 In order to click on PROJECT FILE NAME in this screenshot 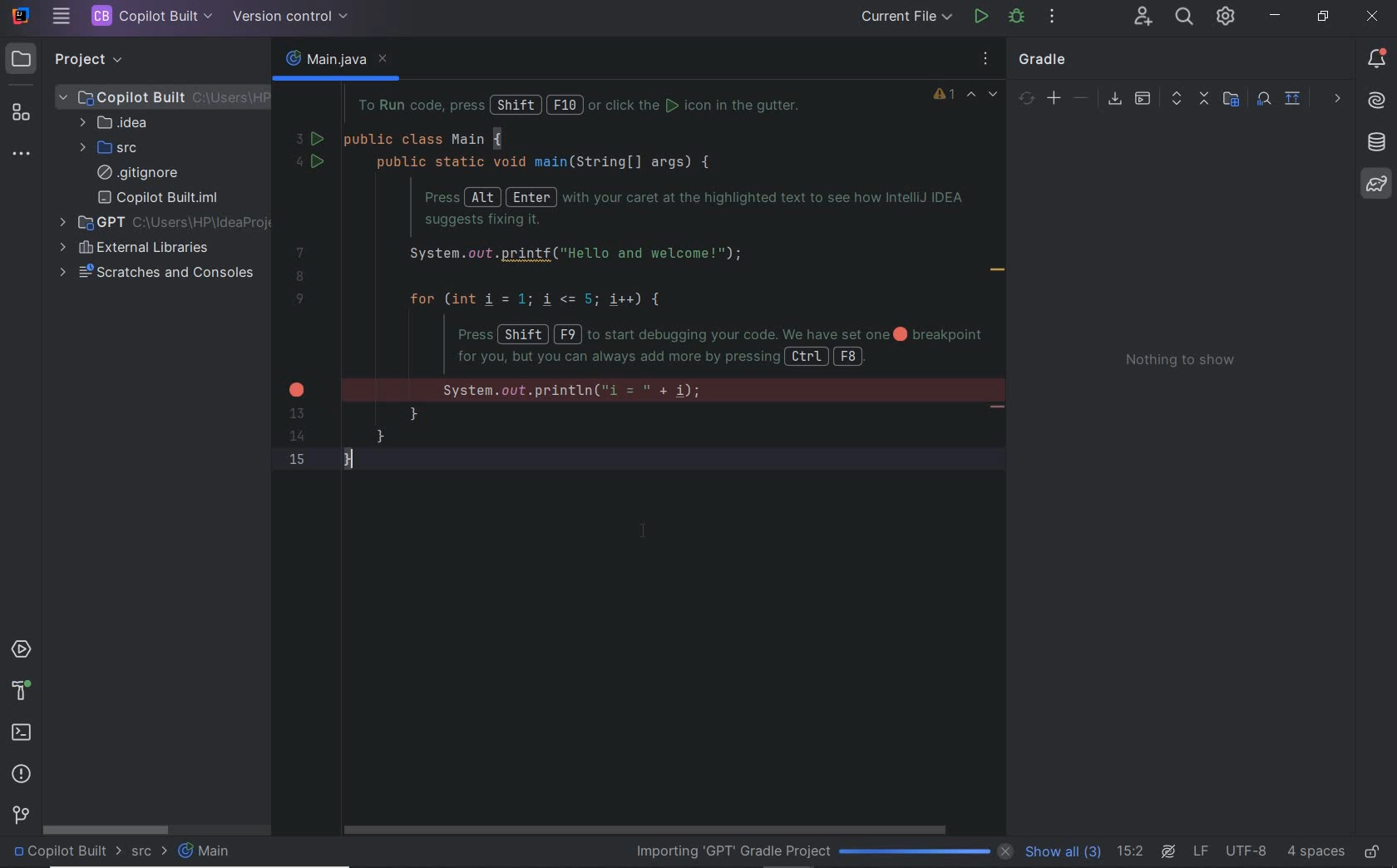, I will do `click(152, 16)`.